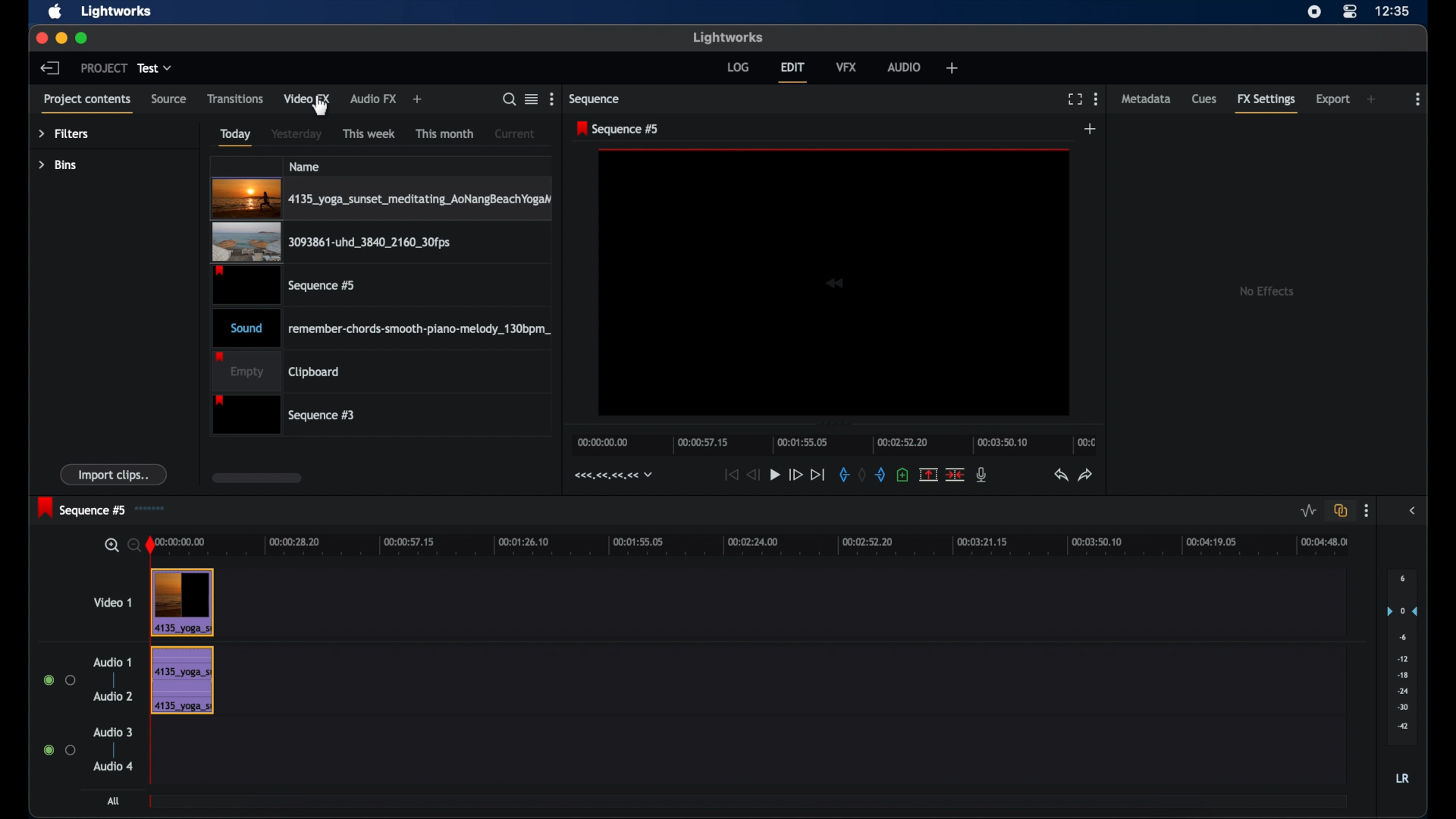  Describe the element at coordinates (750, 544) in the screenshot. I see `timeline ` at that location.